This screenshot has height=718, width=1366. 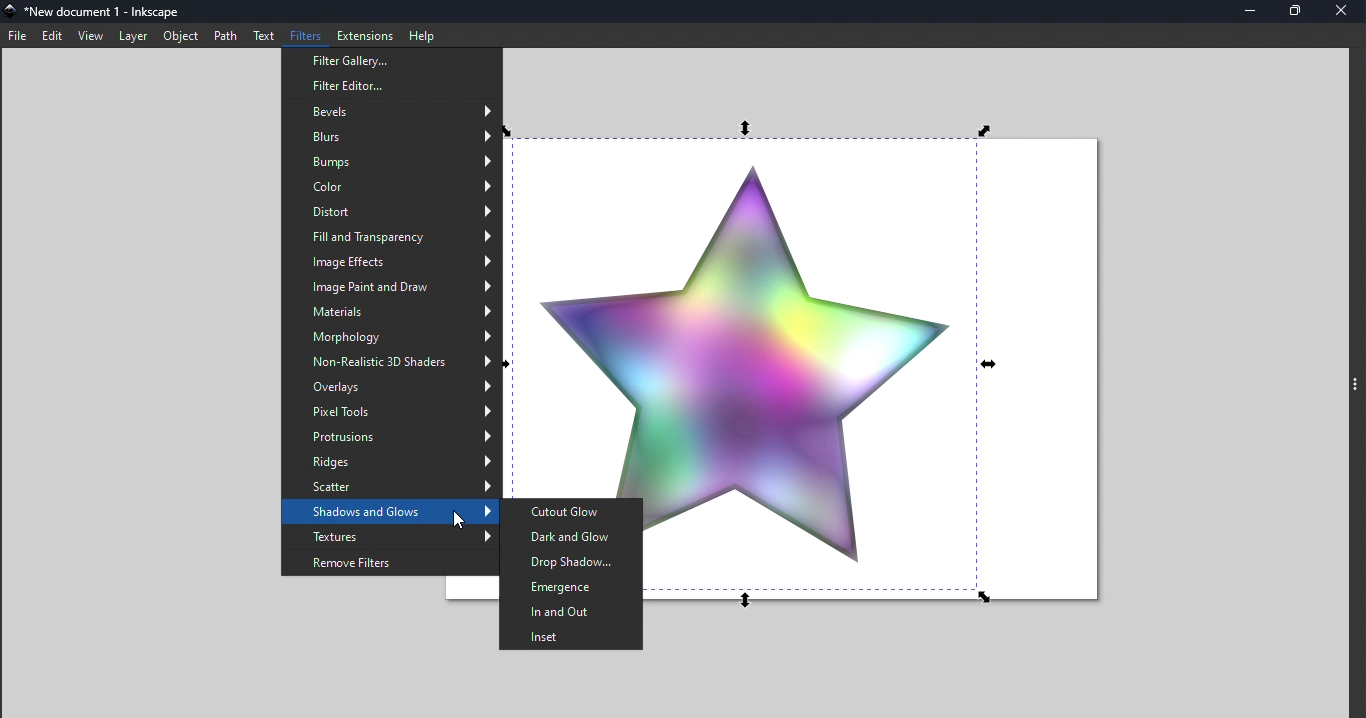 What do you see at coordinates (390, 185) in the screenshot?
I see `Color ` at bounding box center [390, 185].